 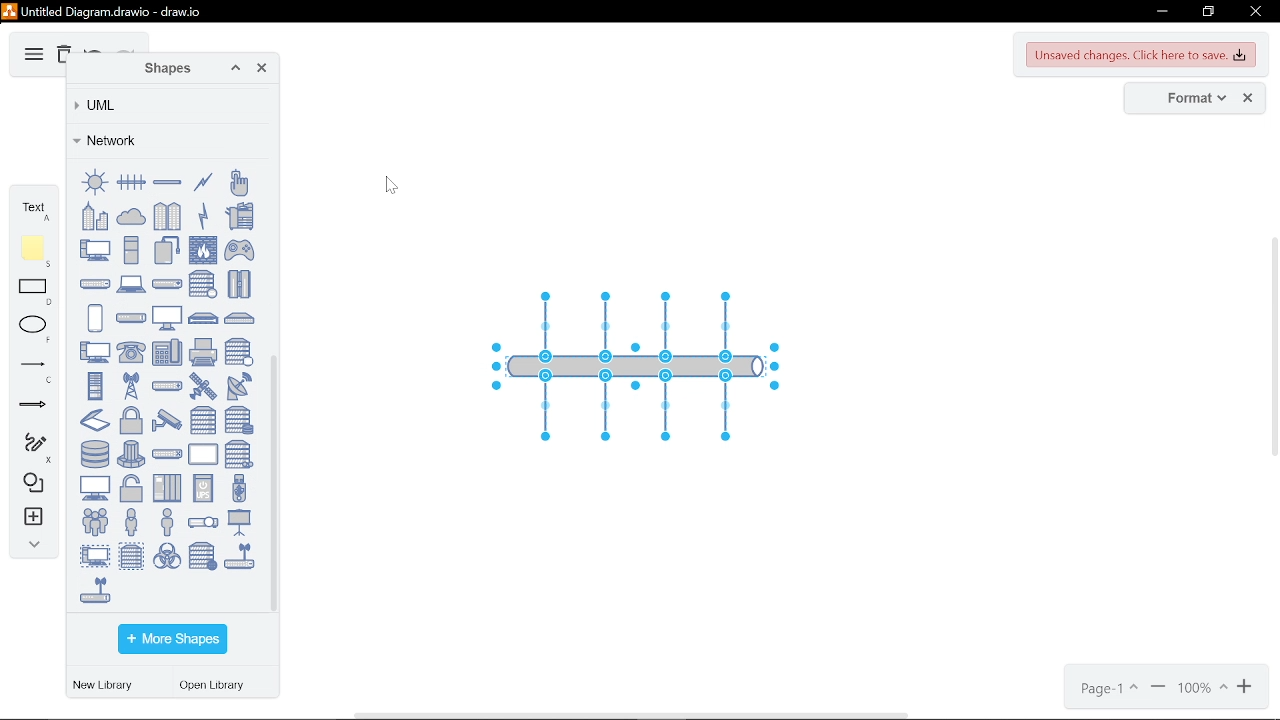 I want to click on virtual PC, so click(x=95, y=555).